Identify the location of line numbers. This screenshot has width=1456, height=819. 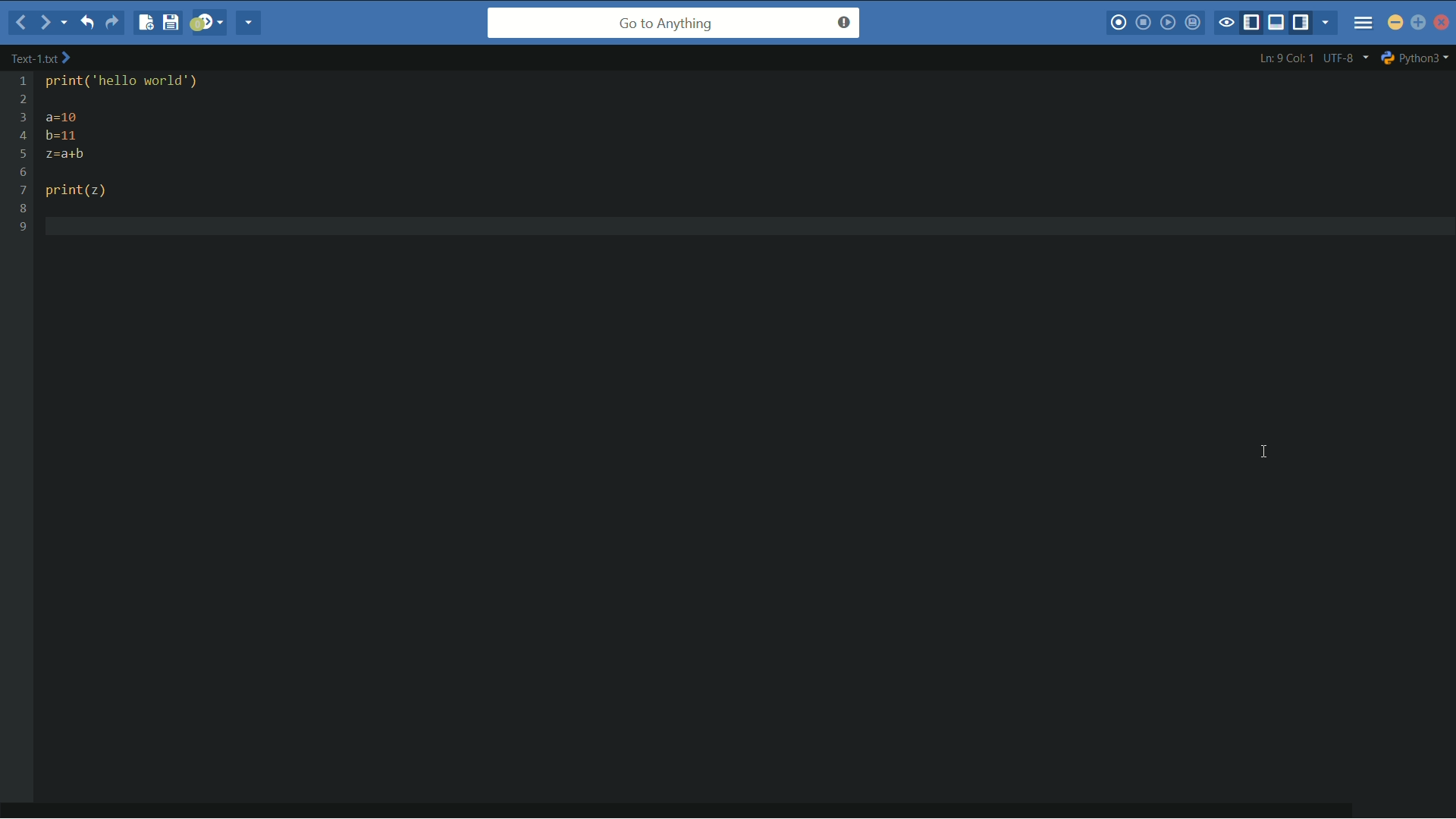
(22, 154).